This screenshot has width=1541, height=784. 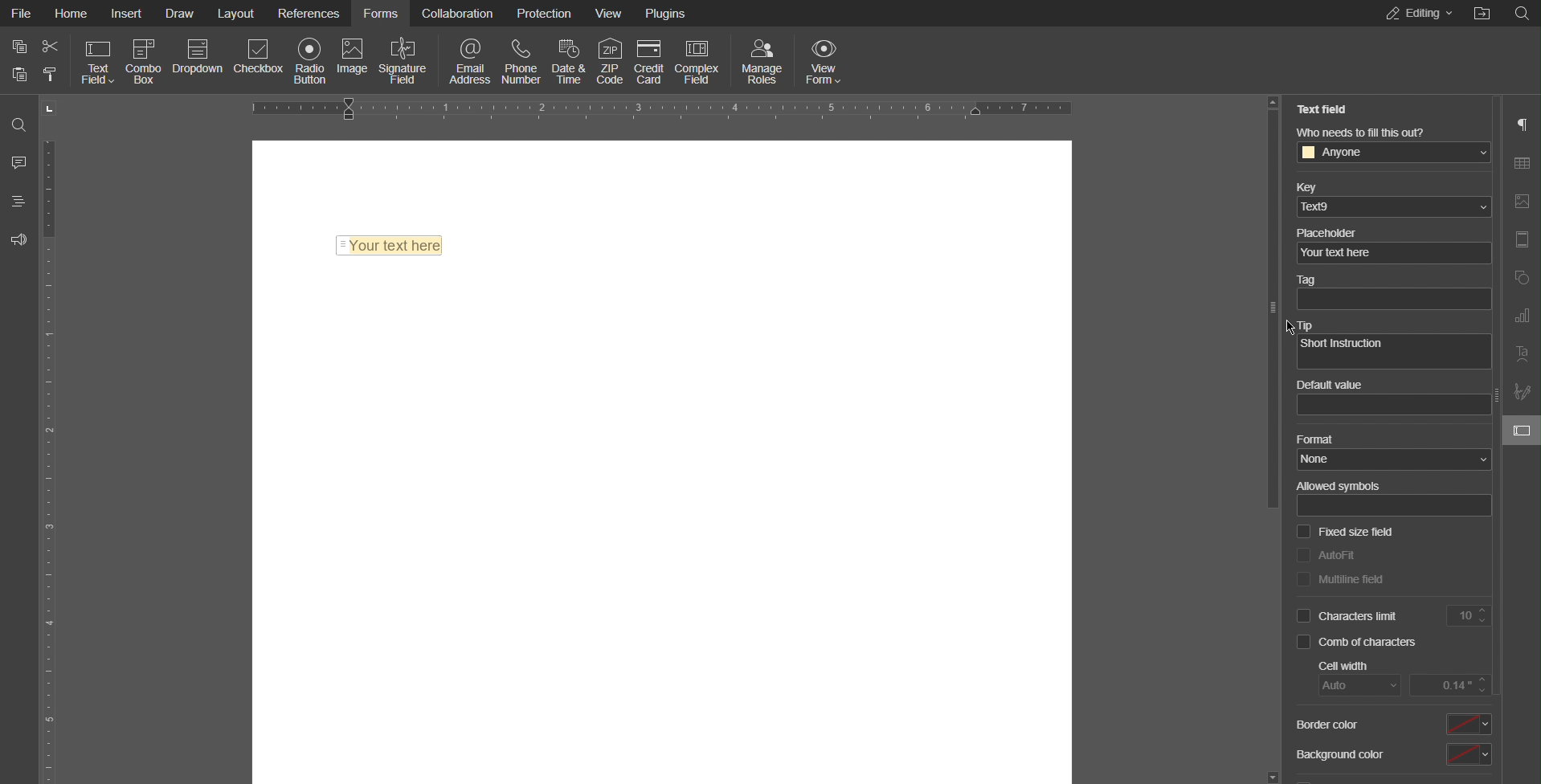 I want to click on File, so click(x=22, y=13).